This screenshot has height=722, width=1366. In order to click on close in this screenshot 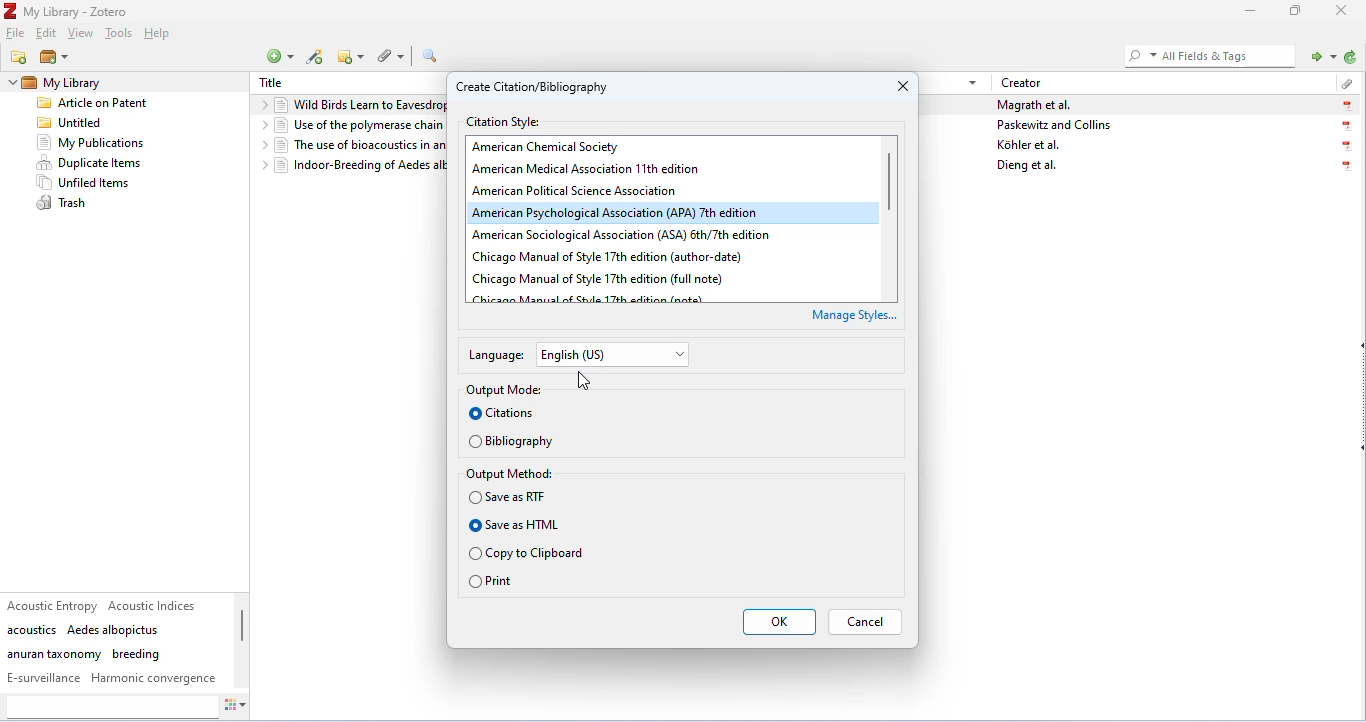, I will do `click(1343, 11)`.